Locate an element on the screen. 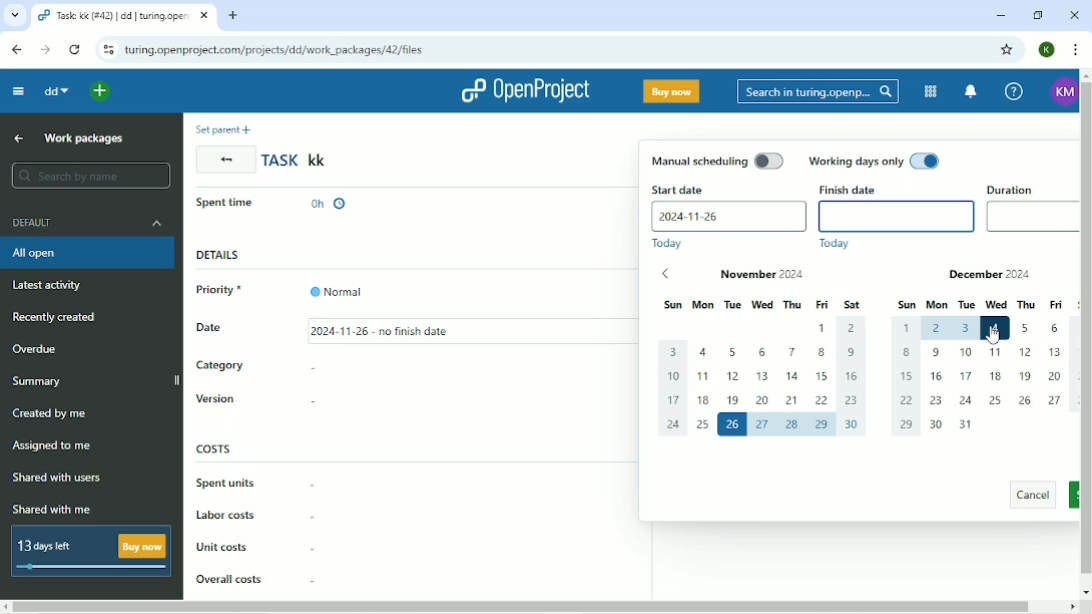 Image resolution: width=1092 pixels, height=614 pixels. KM is located at coordinates (1059, 93).